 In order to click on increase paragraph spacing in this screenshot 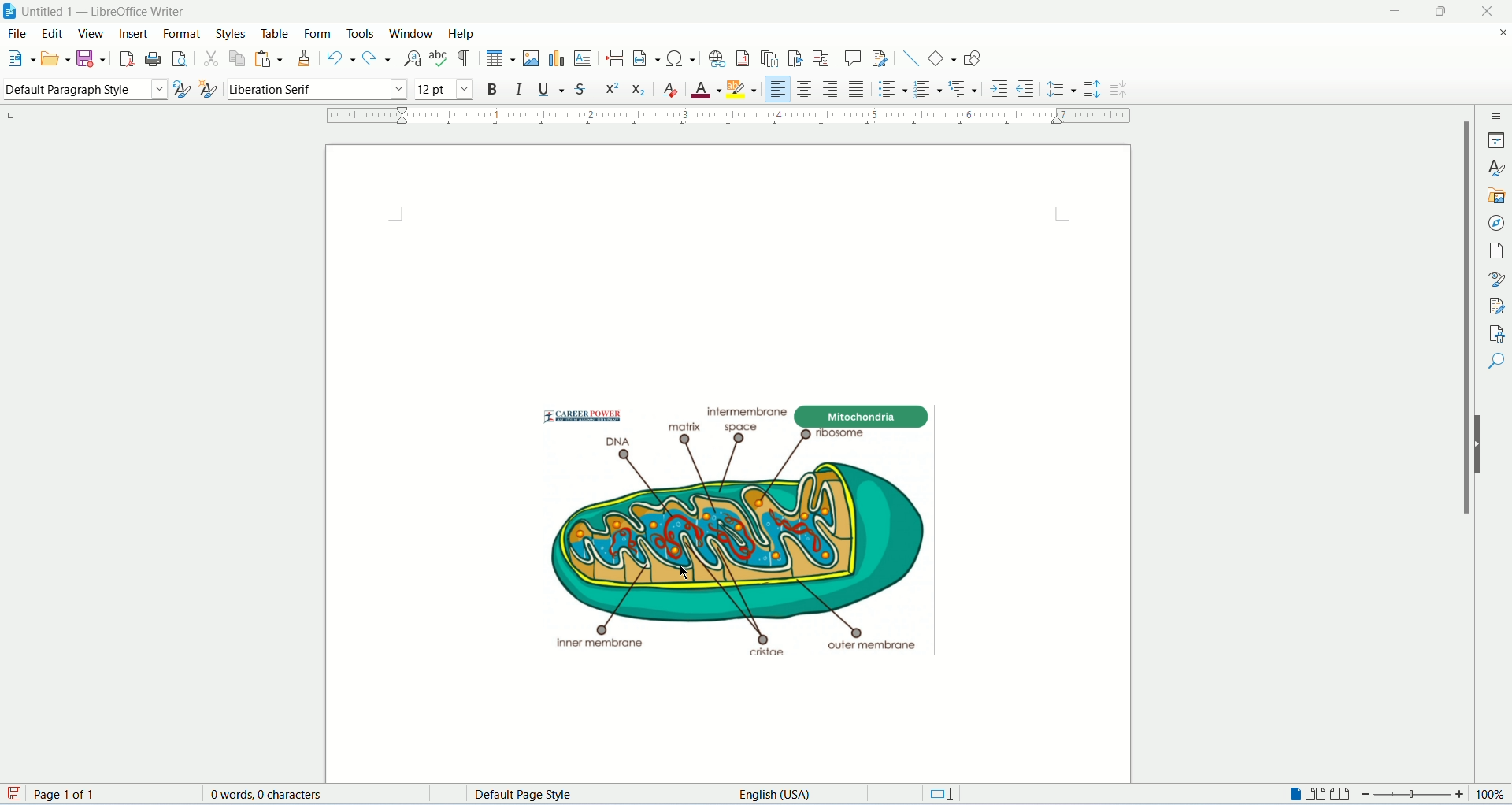, I will do `click(1091, 90)`.